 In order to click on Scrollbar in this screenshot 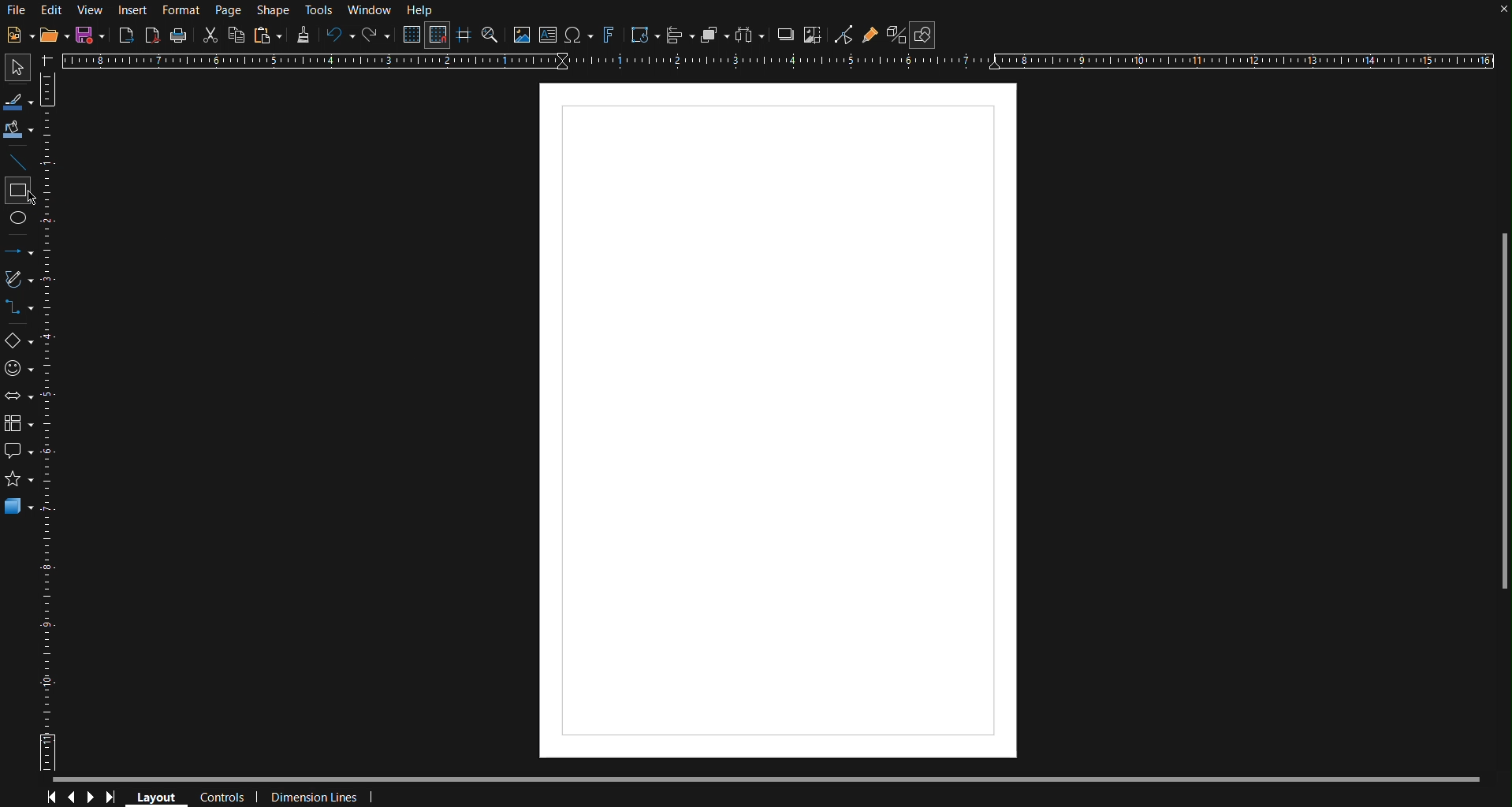, I will do `click(779, 780)`.